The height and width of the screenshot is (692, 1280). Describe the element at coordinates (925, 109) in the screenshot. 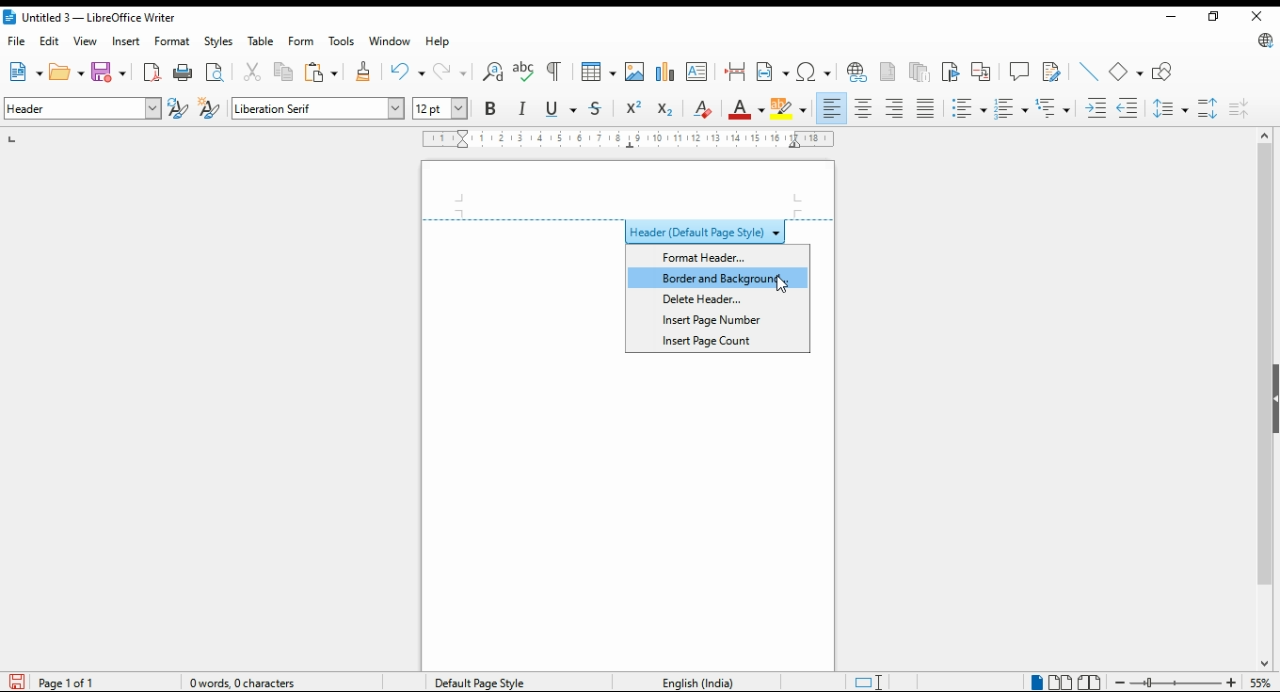

I see `justified` at that location.